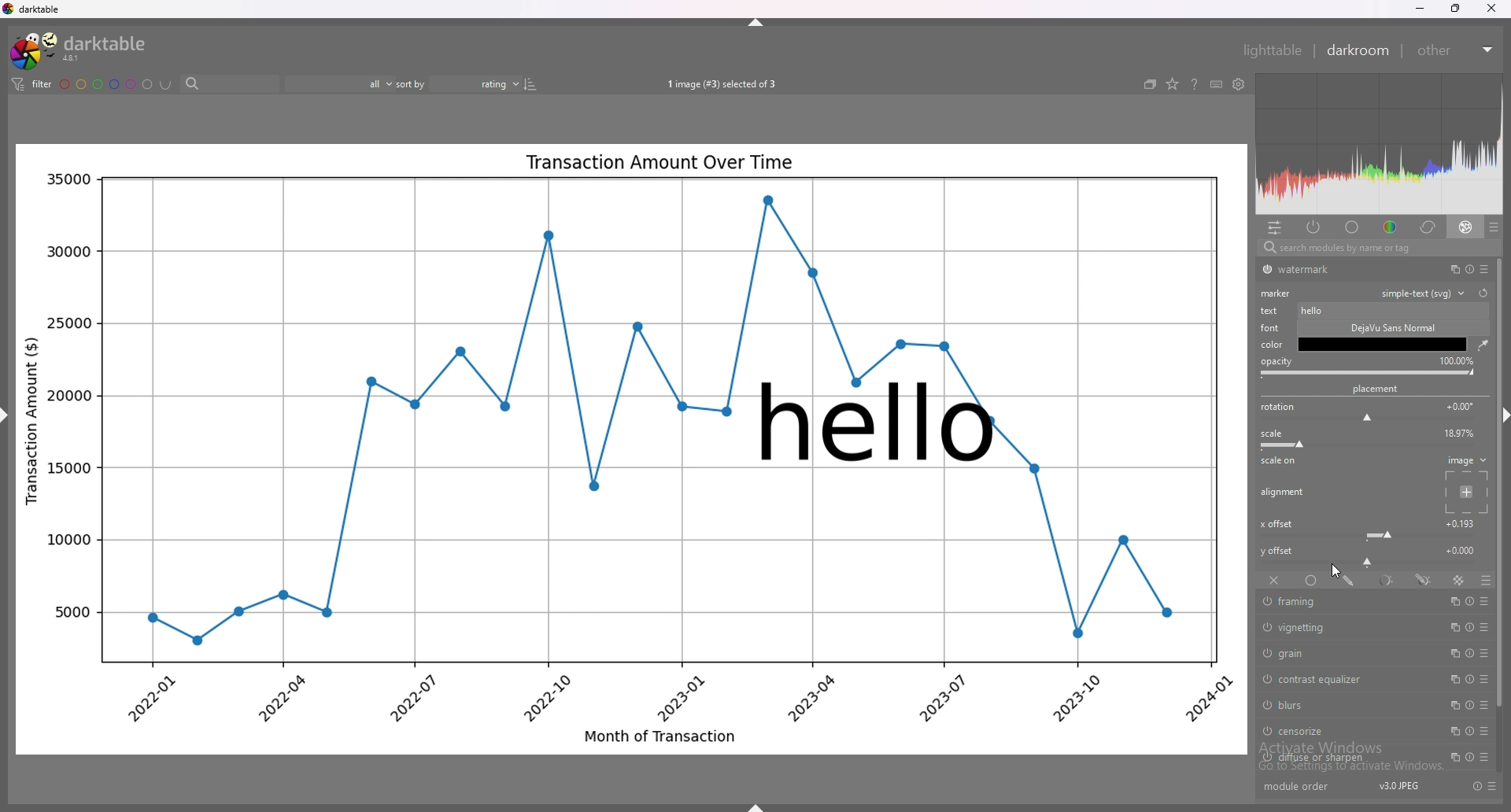 The width and height of the screenshot is (1511, 812). What do you see at coordinates (1426, 227) in the screenshot?
I see `correct` at bounding box center [1426, 227].